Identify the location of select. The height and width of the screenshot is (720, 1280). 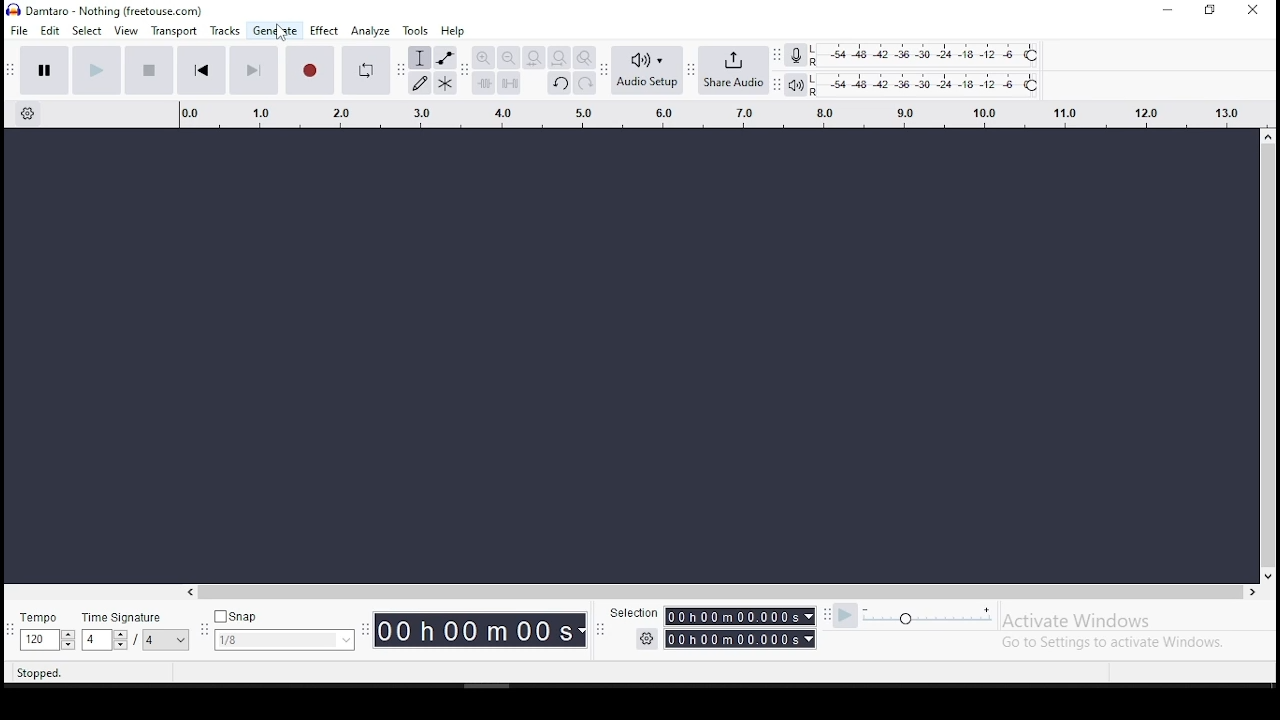
(89, 31).